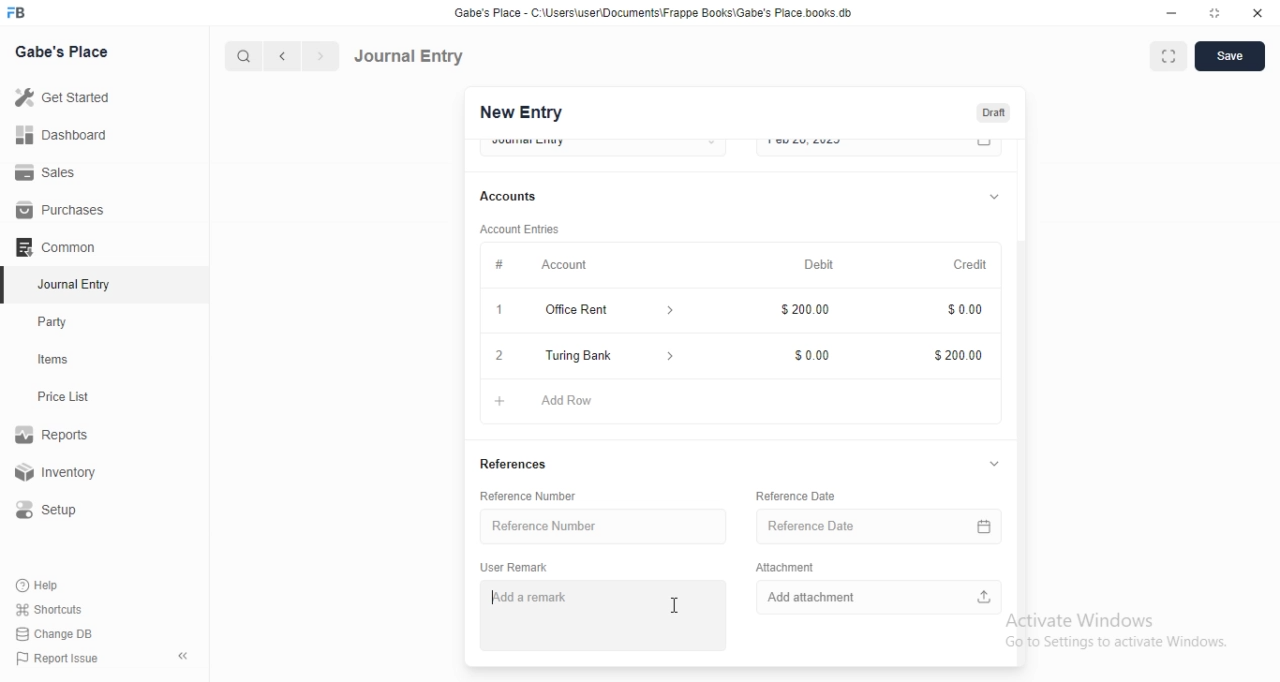  Describe the element at coordinates (57, 322) in the screenshot. I see `Party` at that location.